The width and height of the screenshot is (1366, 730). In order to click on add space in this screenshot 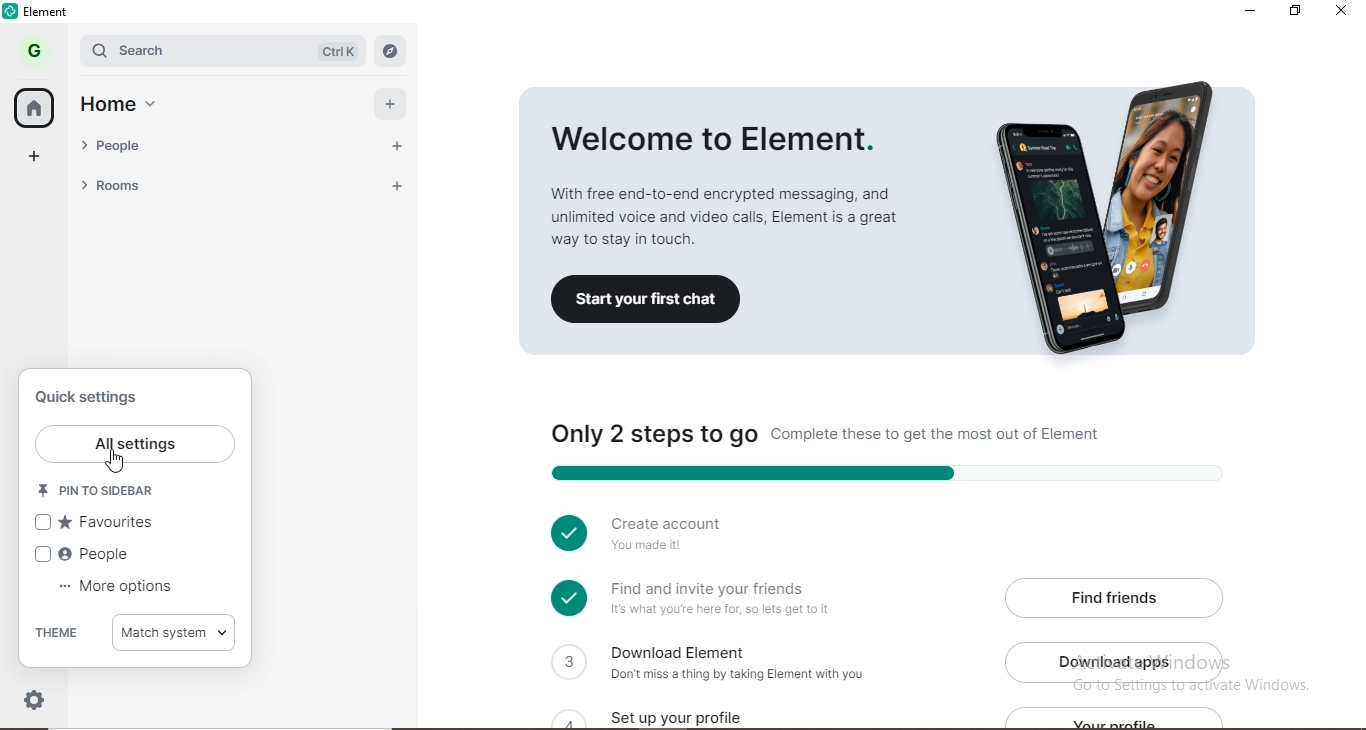, I will do `click(35, 161)`.